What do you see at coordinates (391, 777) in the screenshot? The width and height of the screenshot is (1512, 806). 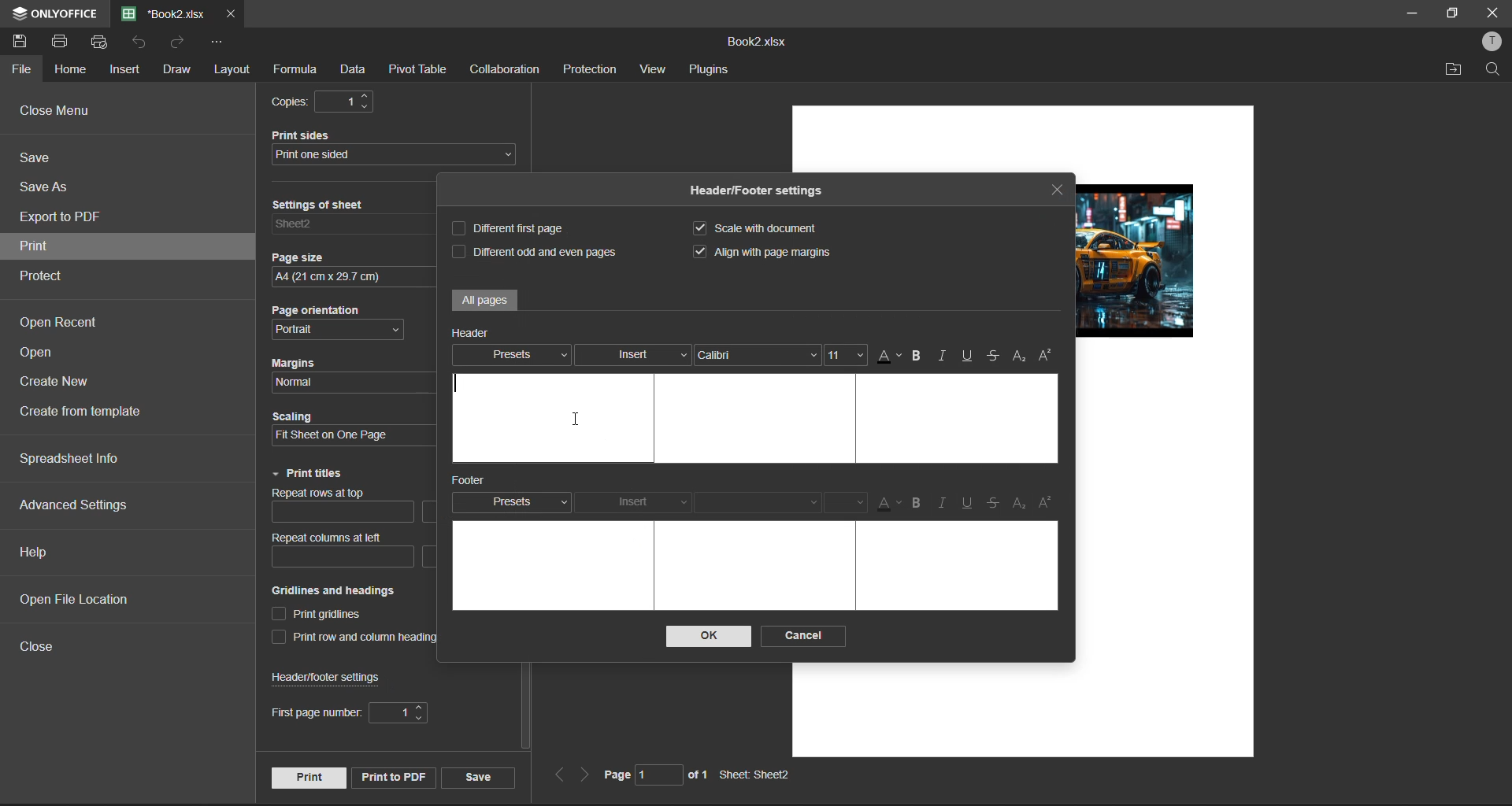 I see `print to pdf` at bounding box center [391, 777].